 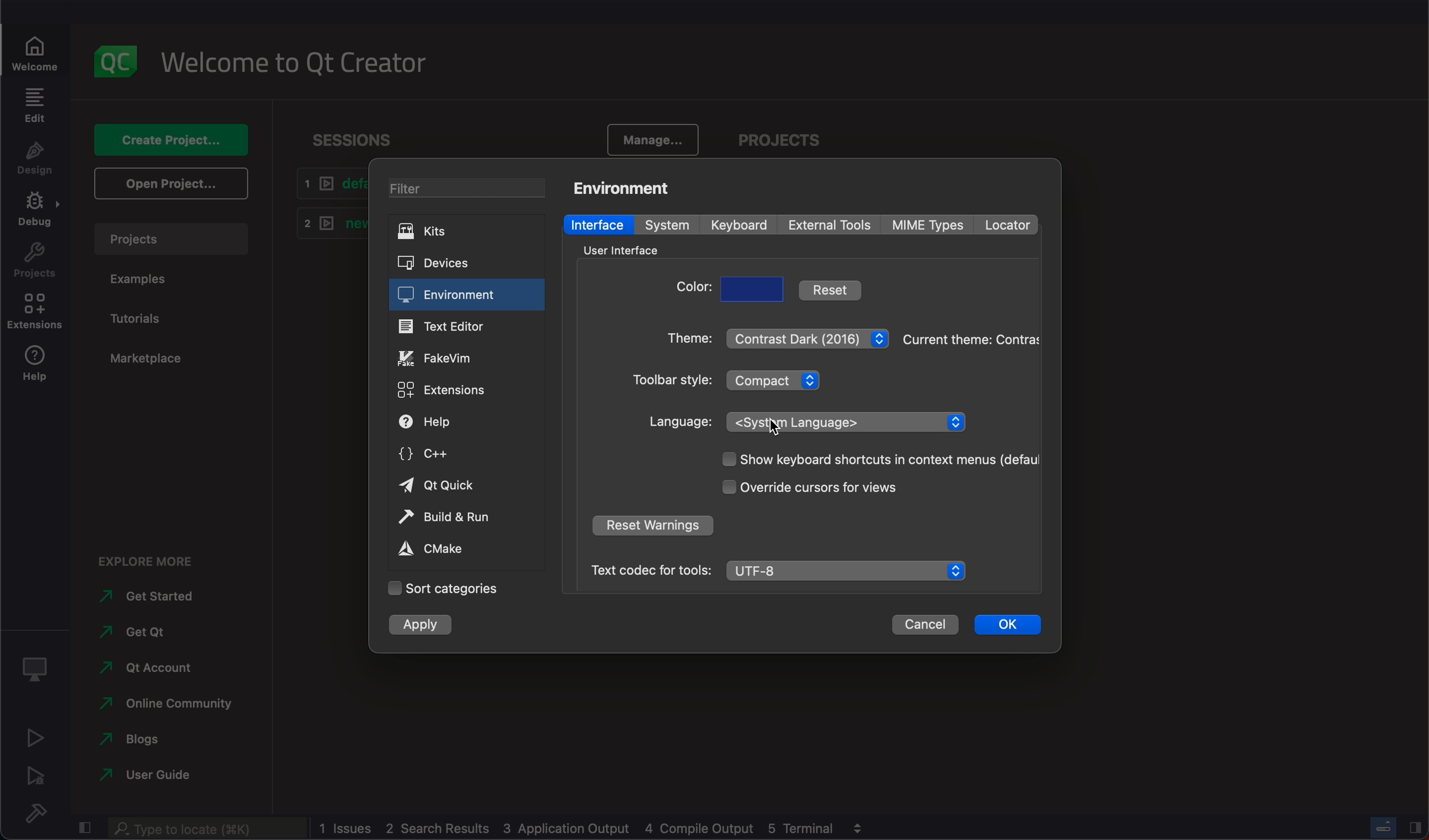 I want to click on run debug, so click(x=35, y=776).